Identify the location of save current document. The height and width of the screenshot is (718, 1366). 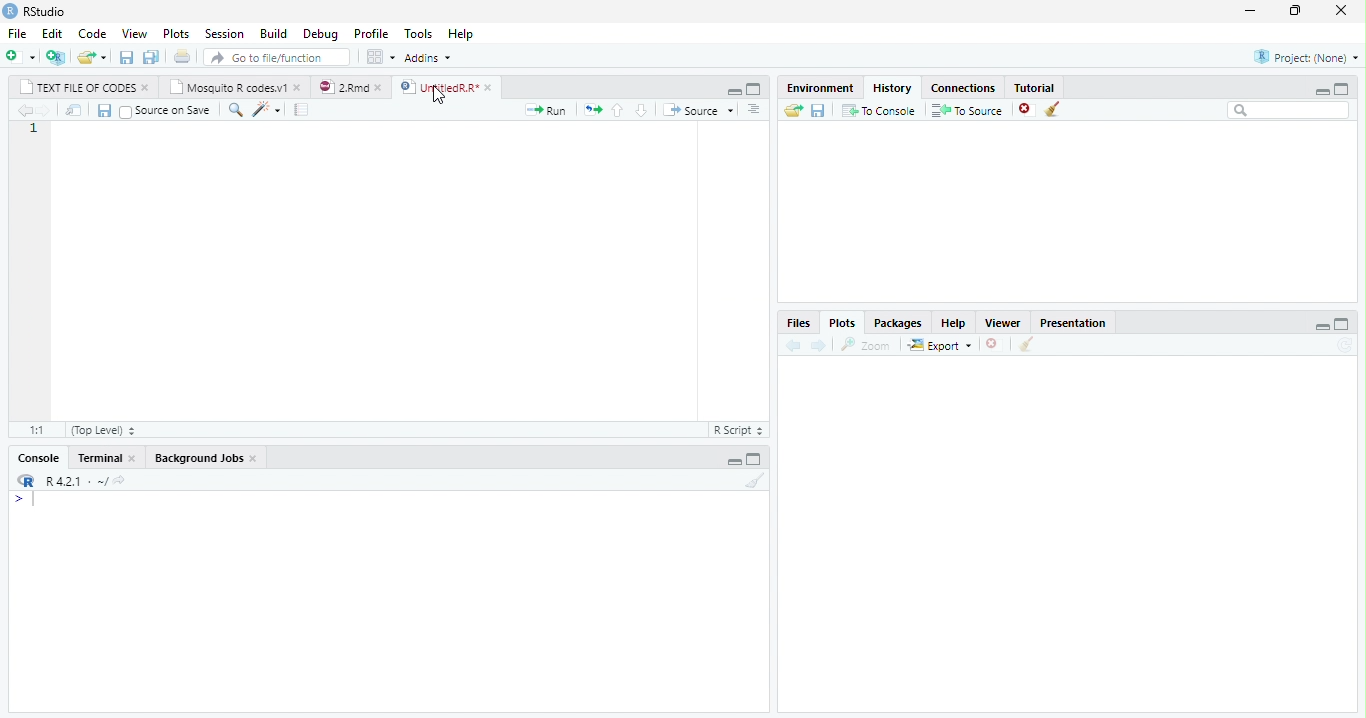
(105, 112).